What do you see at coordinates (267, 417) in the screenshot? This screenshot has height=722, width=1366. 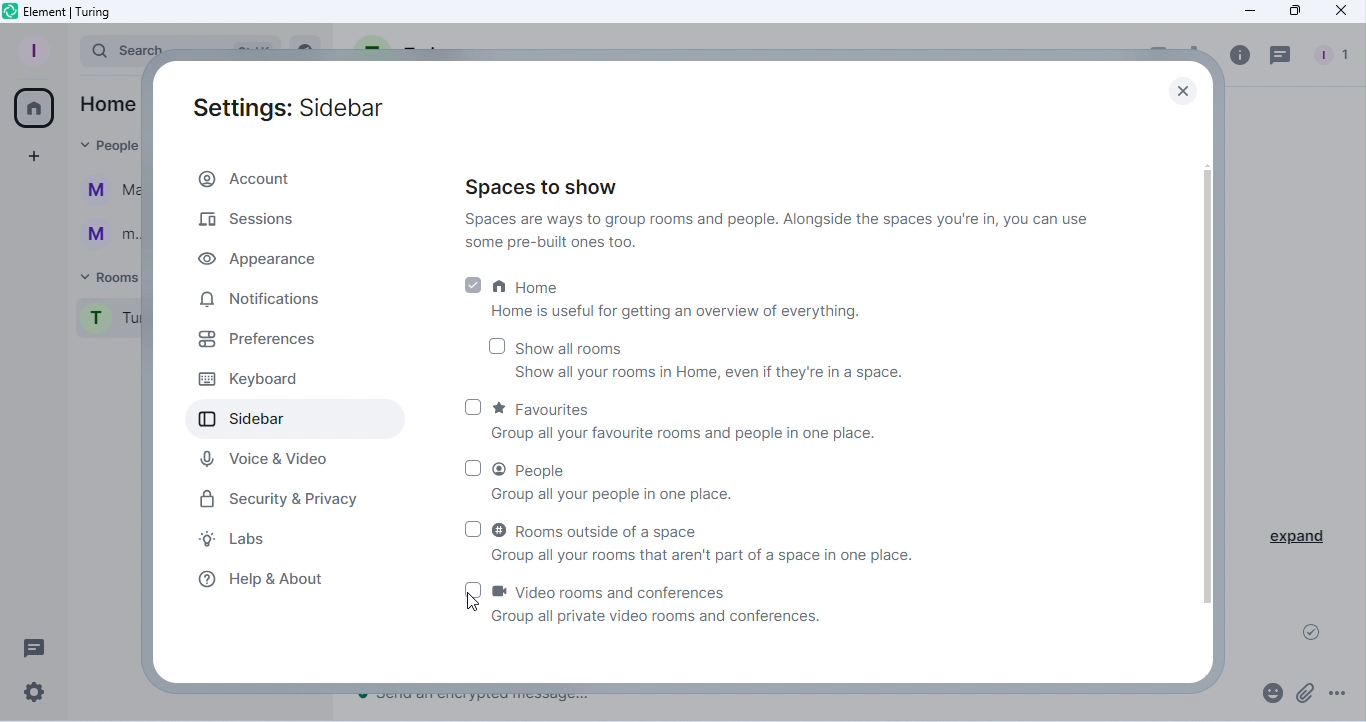 I see `Sidebar` at bounding box center [267, 417].